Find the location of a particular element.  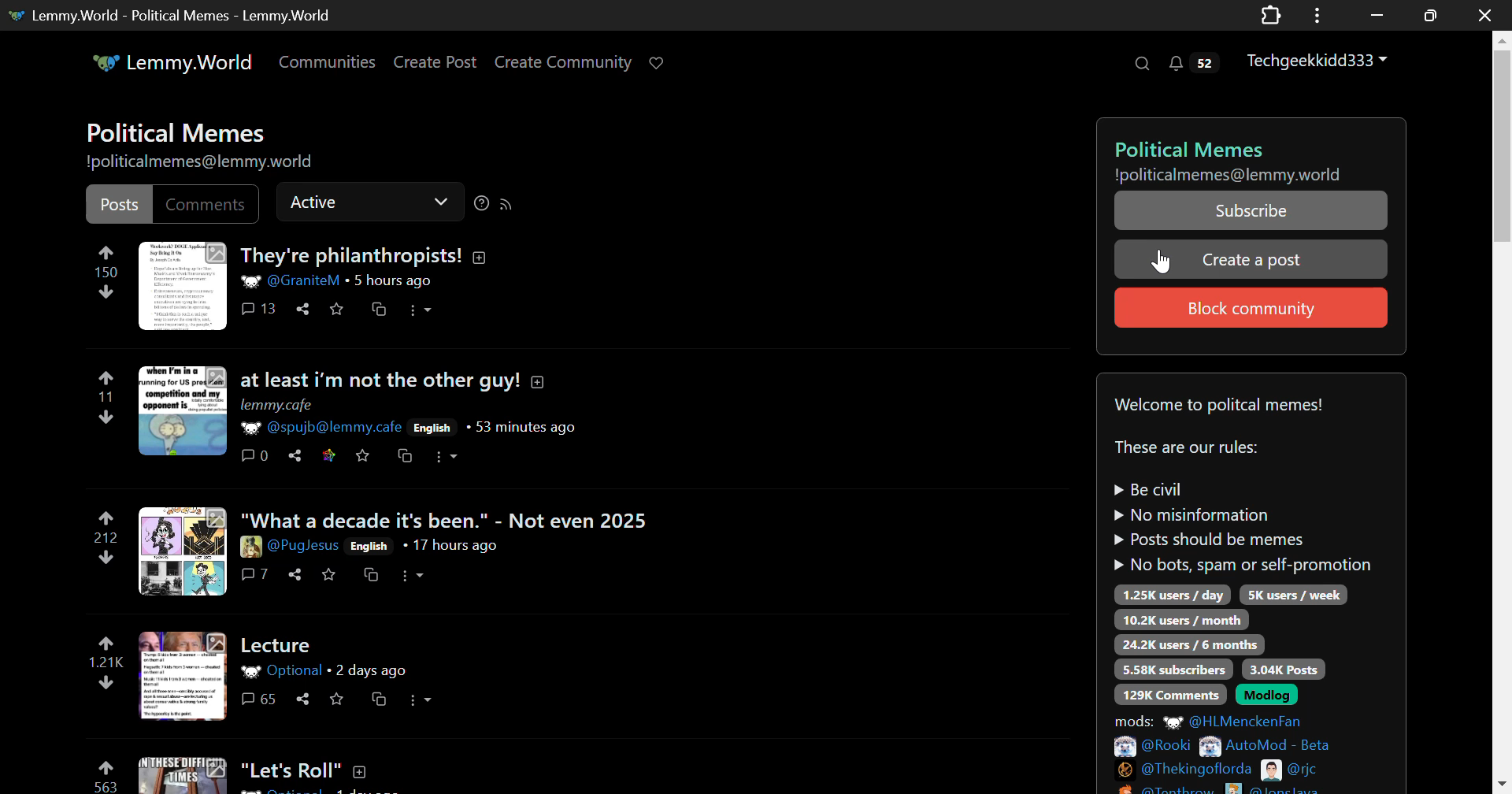

Comments Filter Unselected is located at coordinates (207, 206).